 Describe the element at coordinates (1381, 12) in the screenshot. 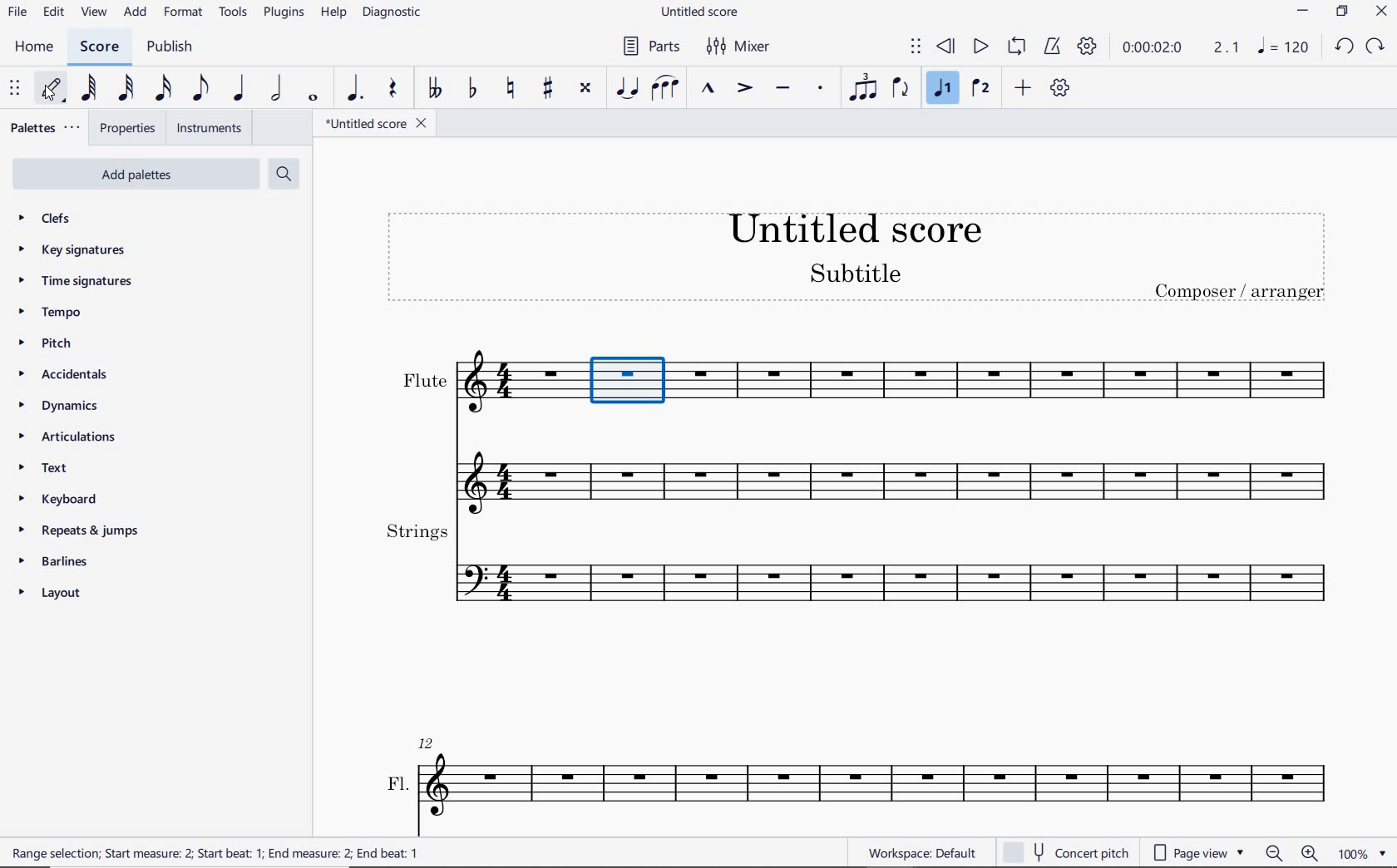

I see `close` at that location.